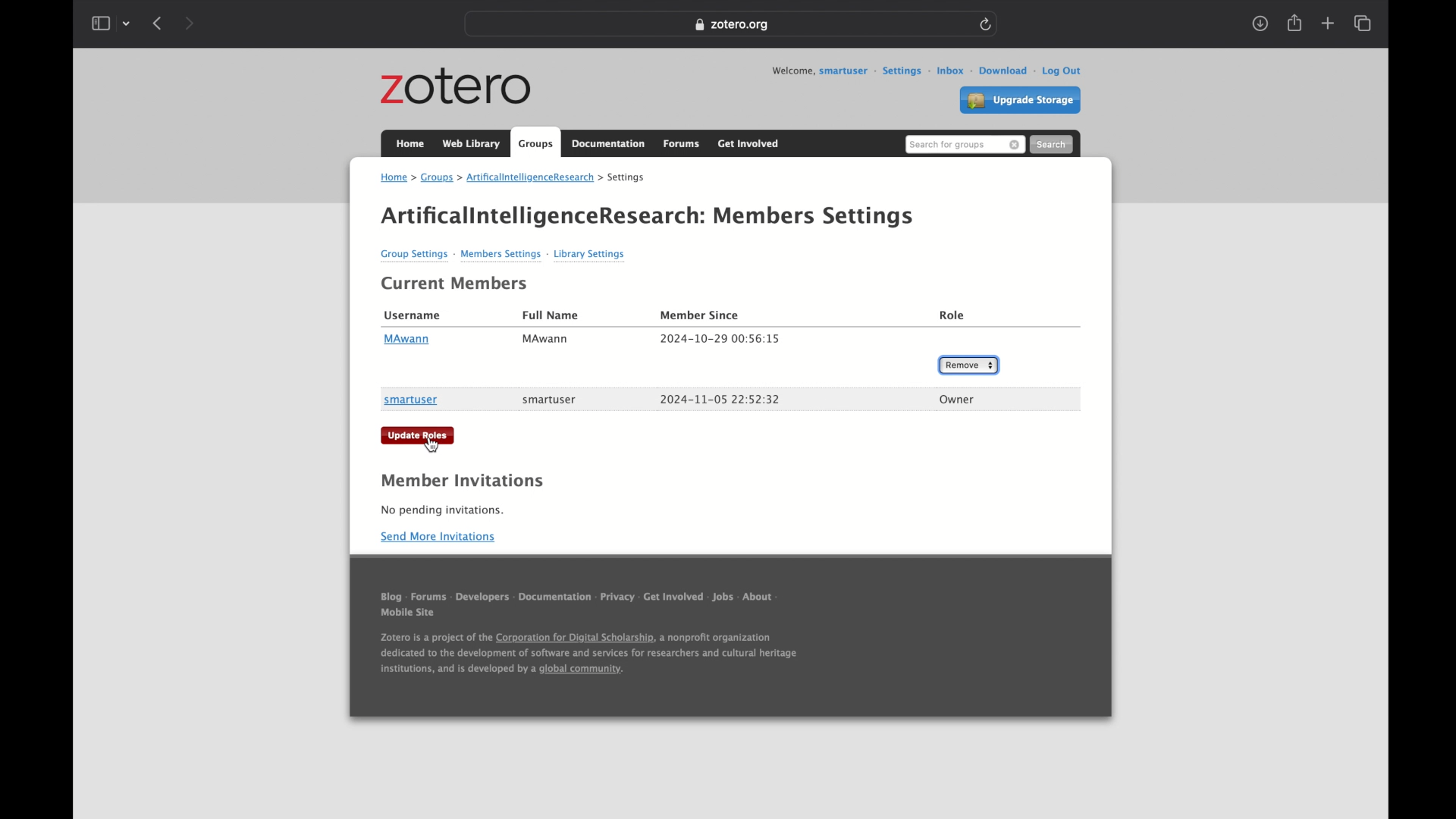  What do you see at coordinates (1294, 23) in the screenshot?
I see `share` at bounding box center [1294, 23].